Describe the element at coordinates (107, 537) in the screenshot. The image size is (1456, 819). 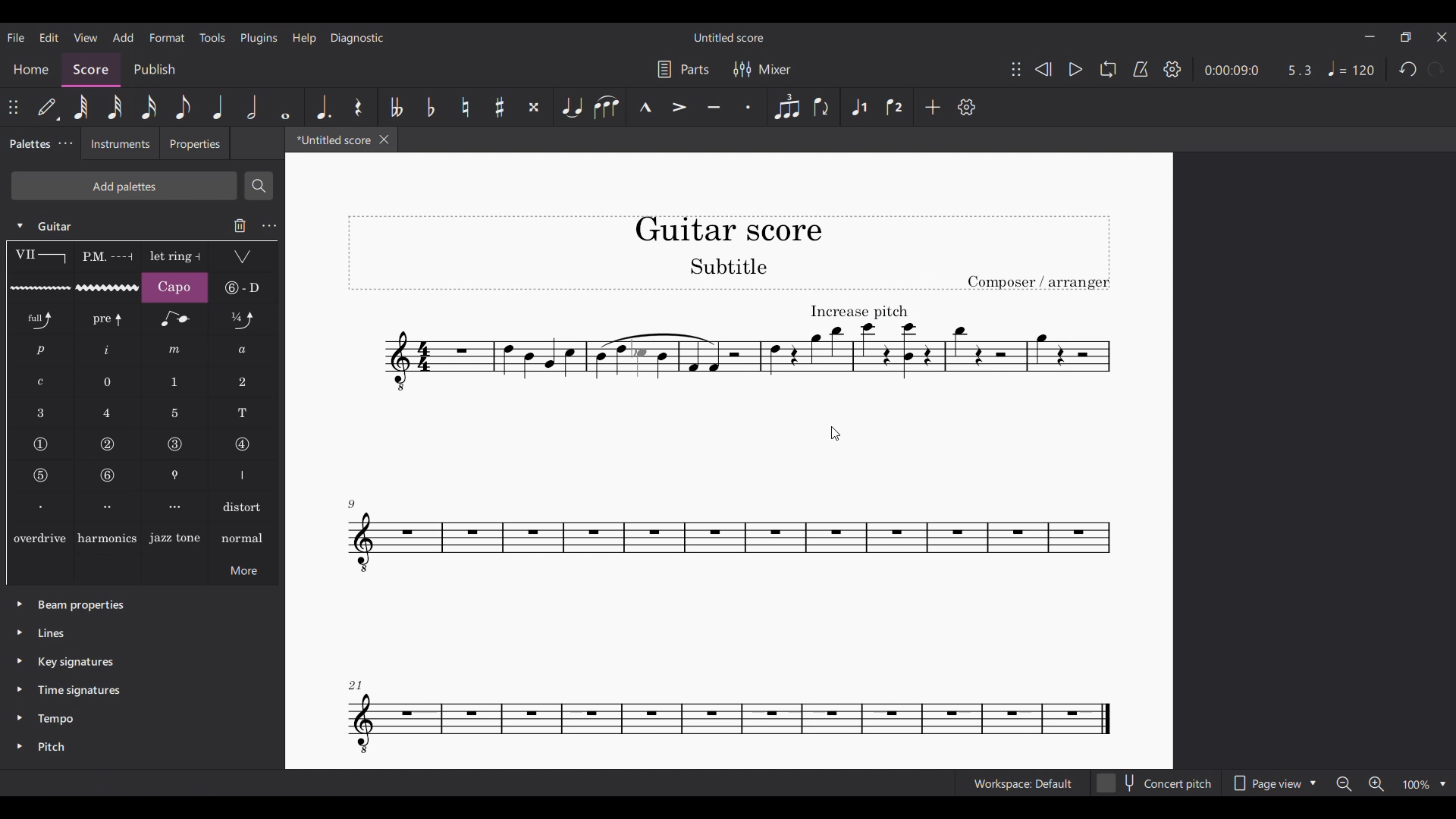
I see `Harmonics` at that location.